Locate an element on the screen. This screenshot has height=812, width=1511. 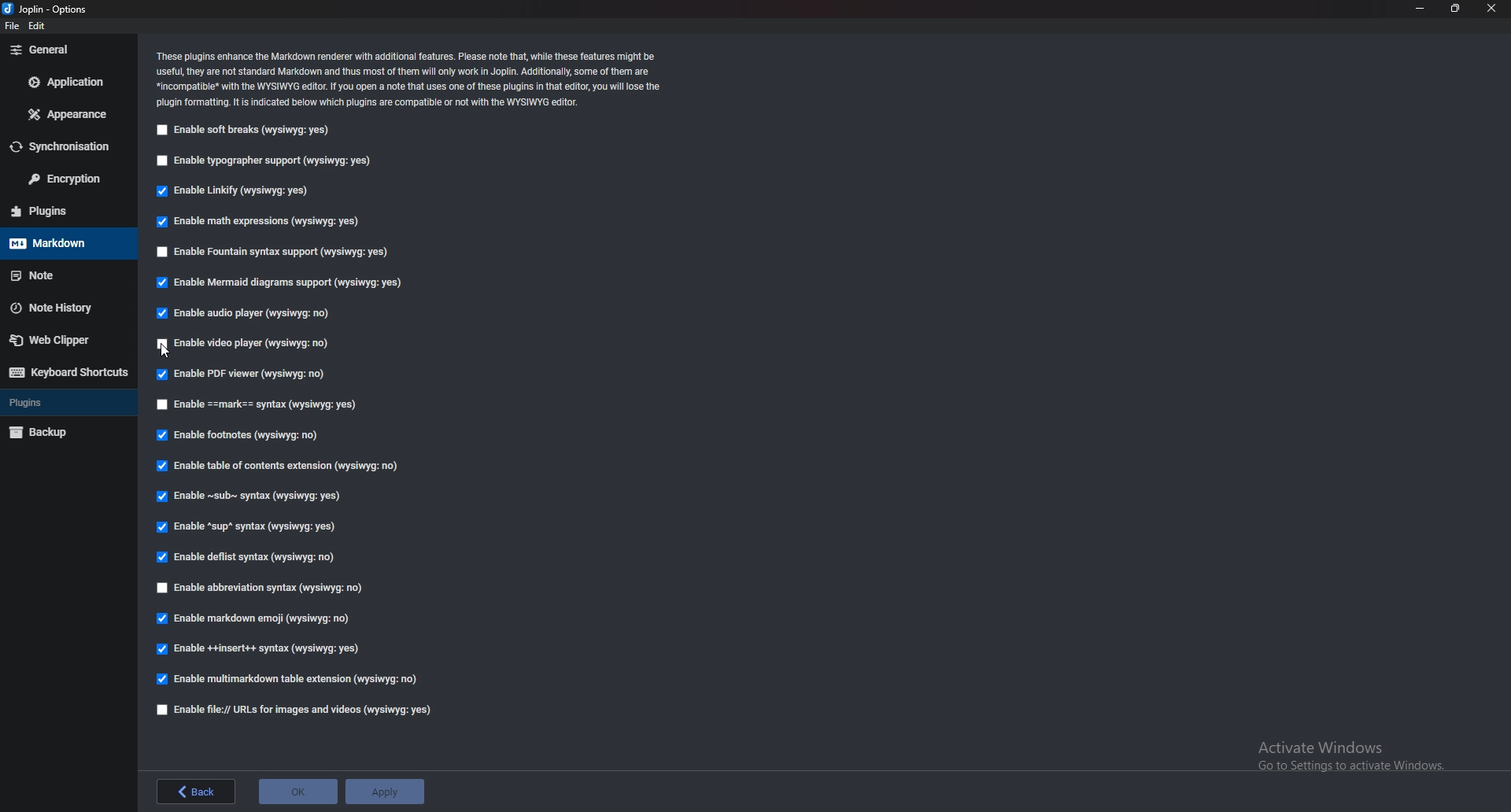
markdown is located at coordinates (59, 244).